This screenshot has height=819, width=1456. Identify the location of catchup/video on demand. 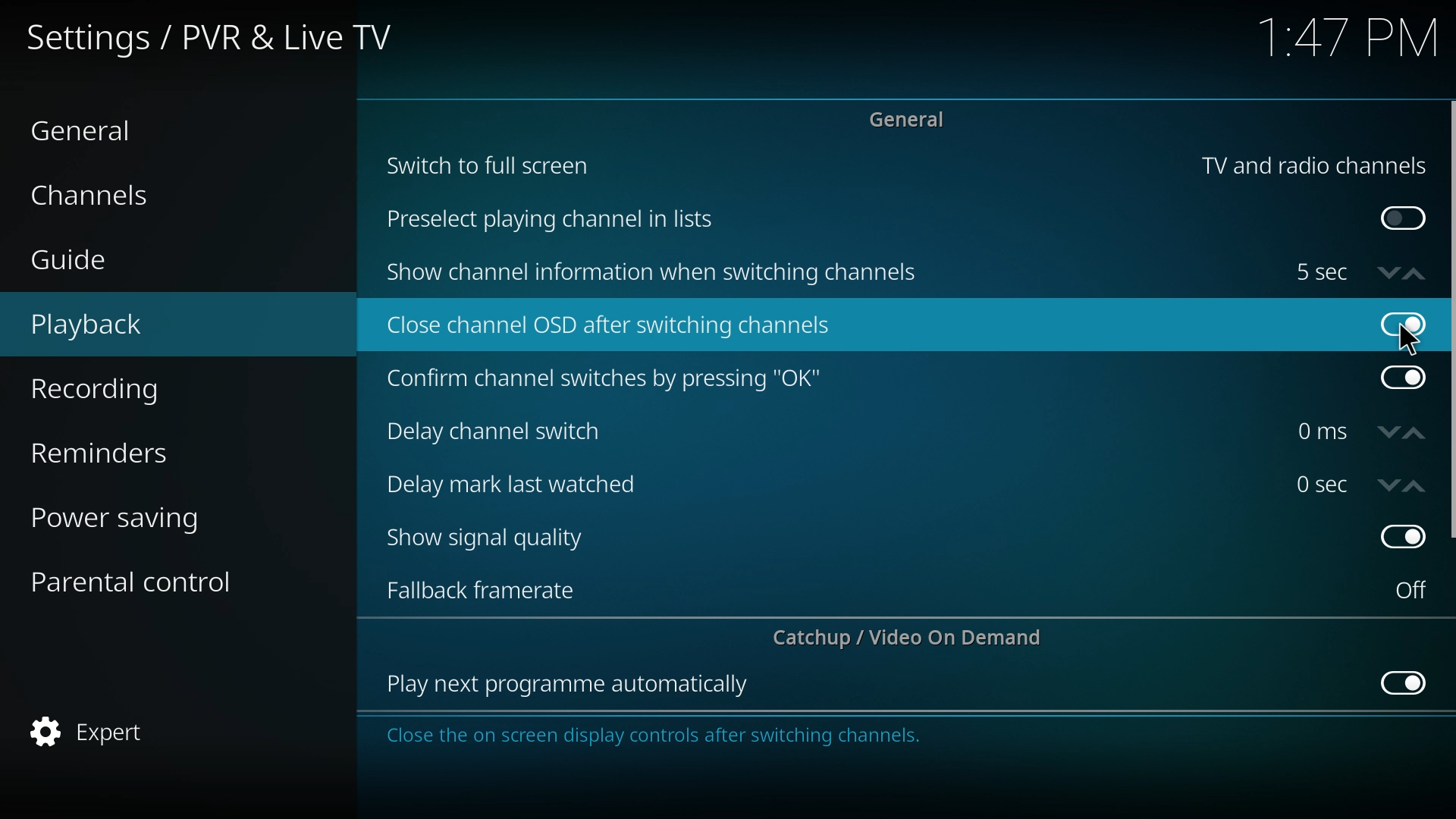
(915, 637).